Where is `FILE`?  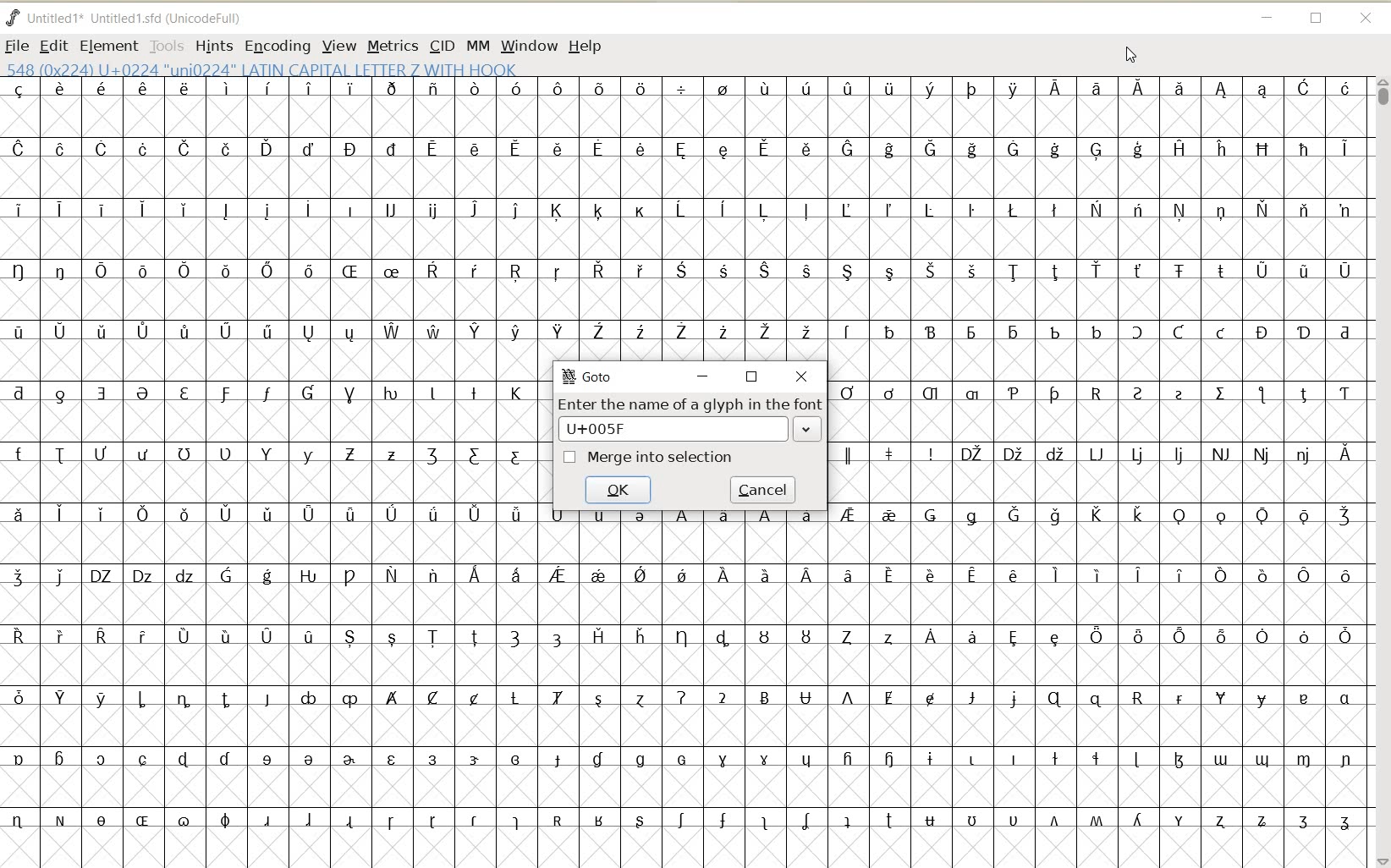 FILE is located at coordinates (17, 46).